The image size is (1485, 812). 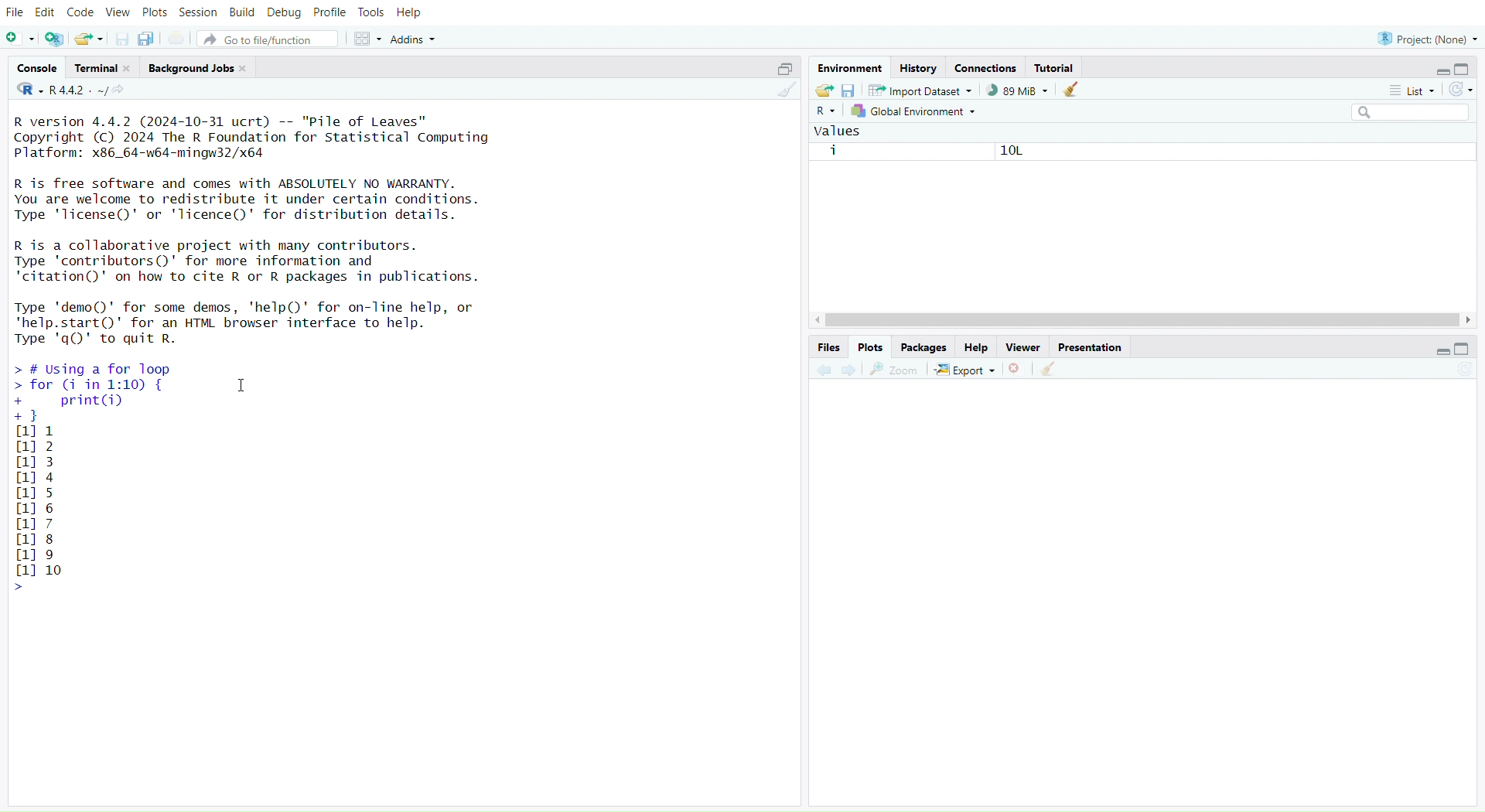 I want to click on save all open document, so click(x=150, y=39).